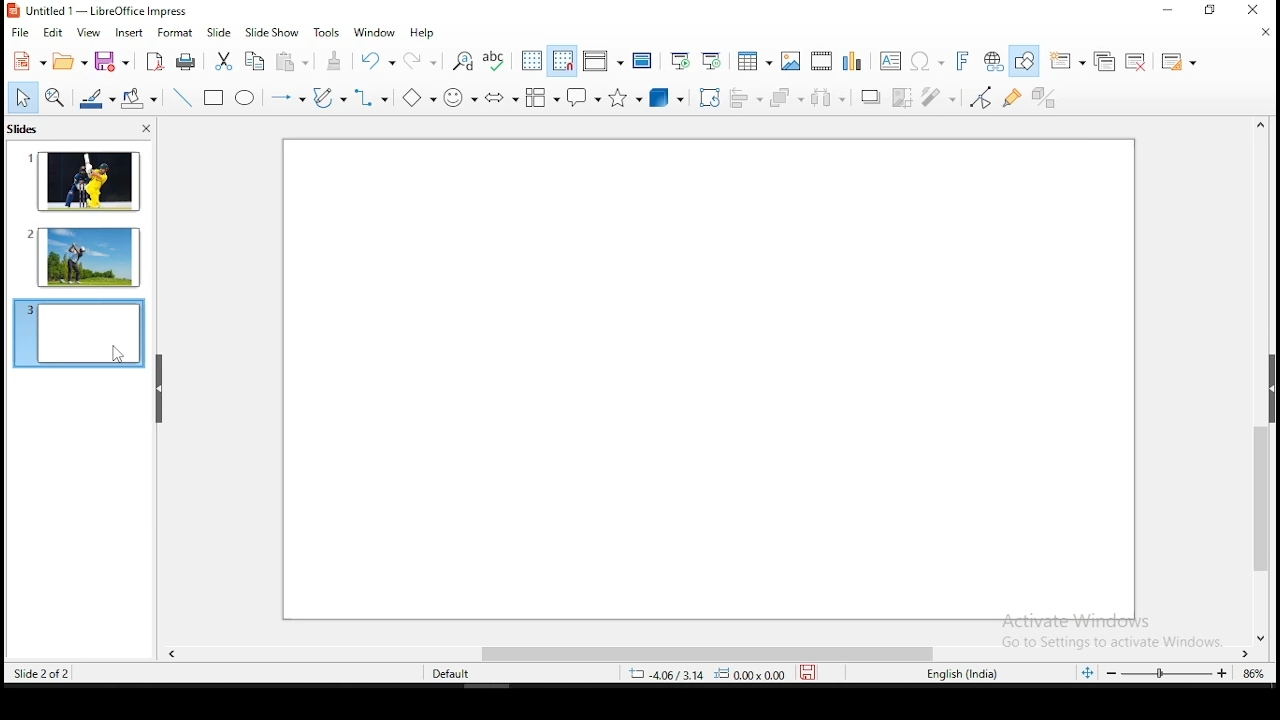  Describe the element at coordinates (244, 102) in the screenshot. I see `ellipse` at that location.